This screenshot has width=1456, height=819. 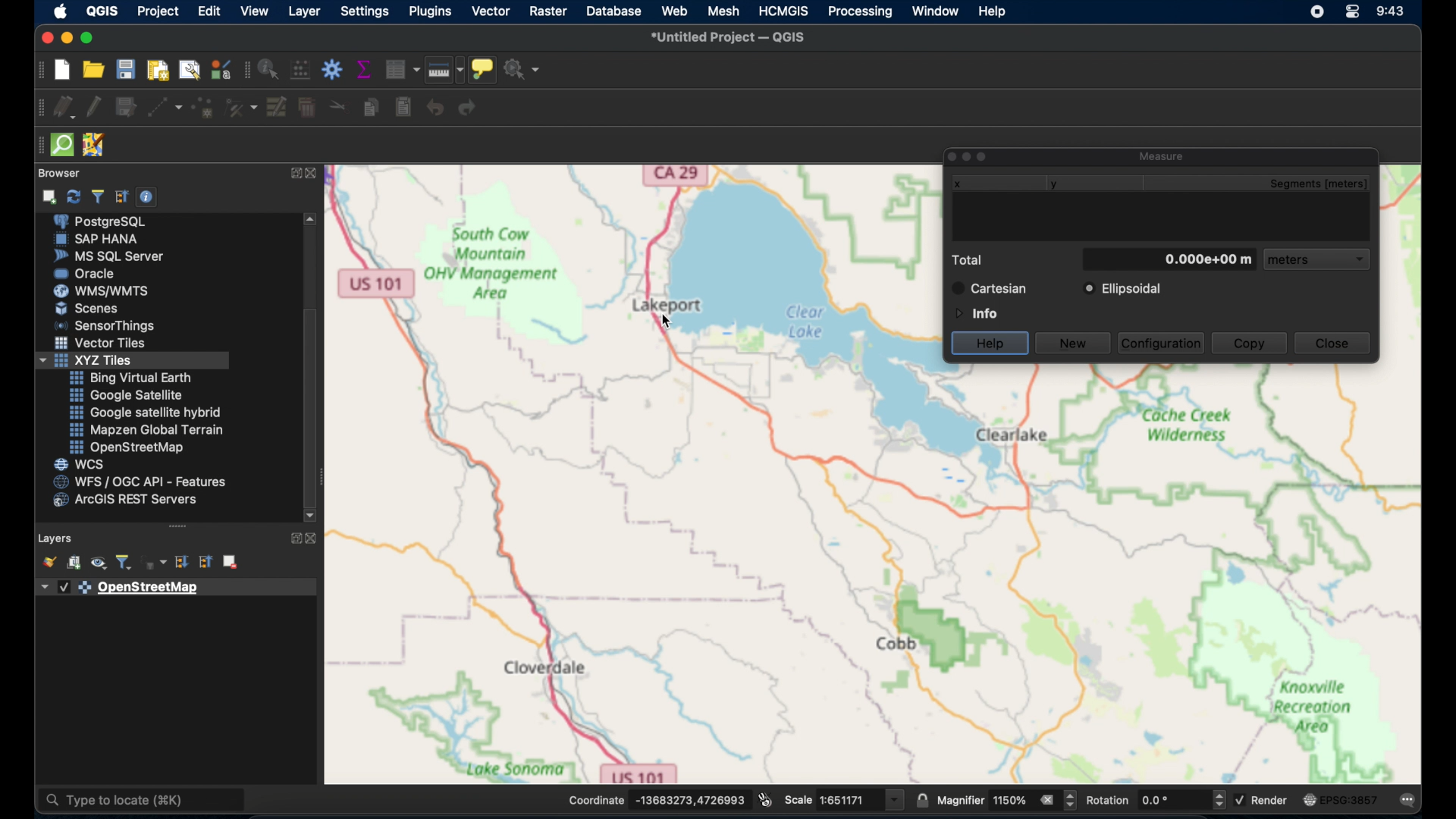 What do you see at coordinates (490, 11) in the screenshot?
I see `vector` at bounding box center [490, 11].